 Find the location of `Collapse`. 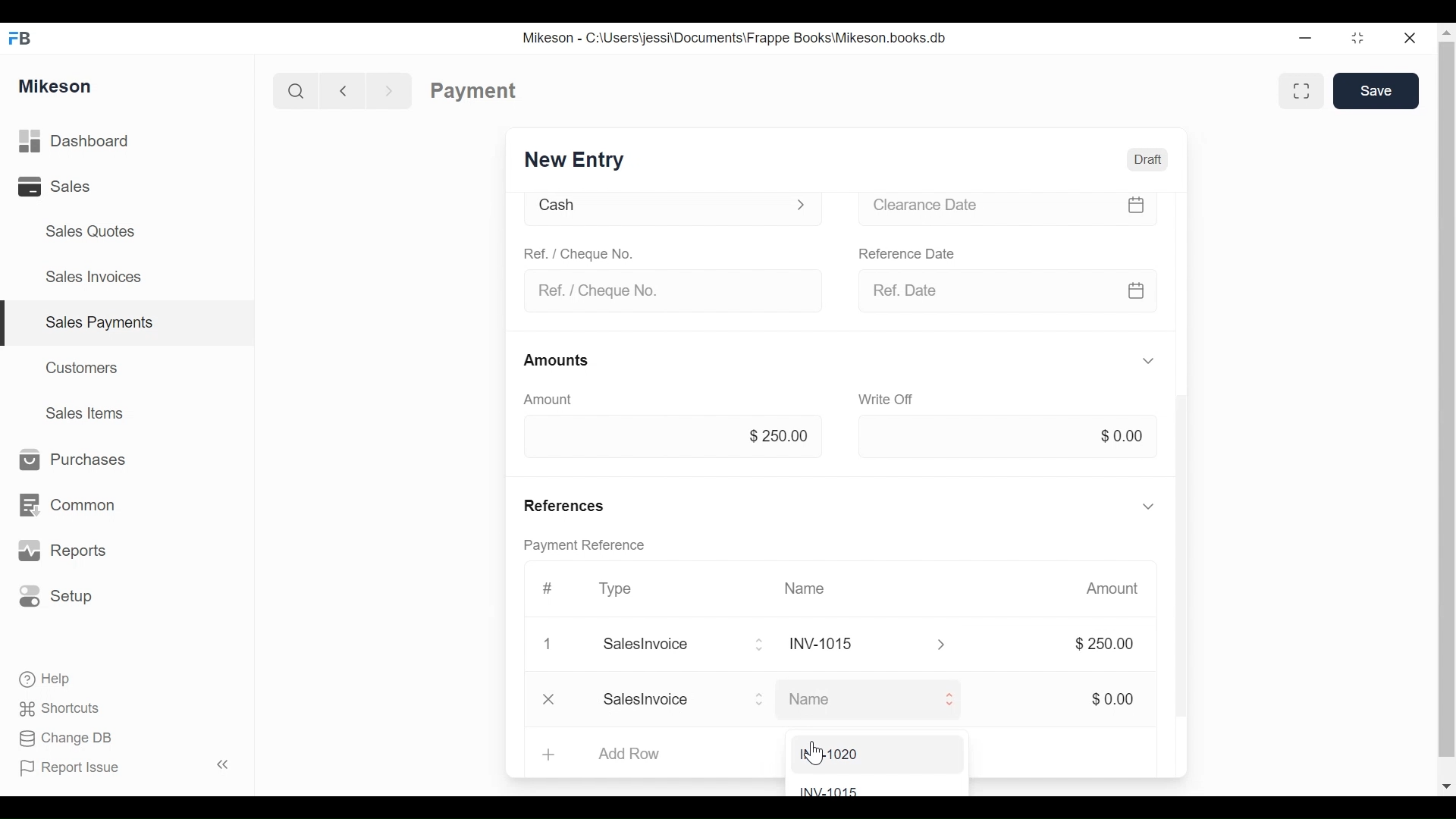

Collapse is located at coordinates (226, 766).